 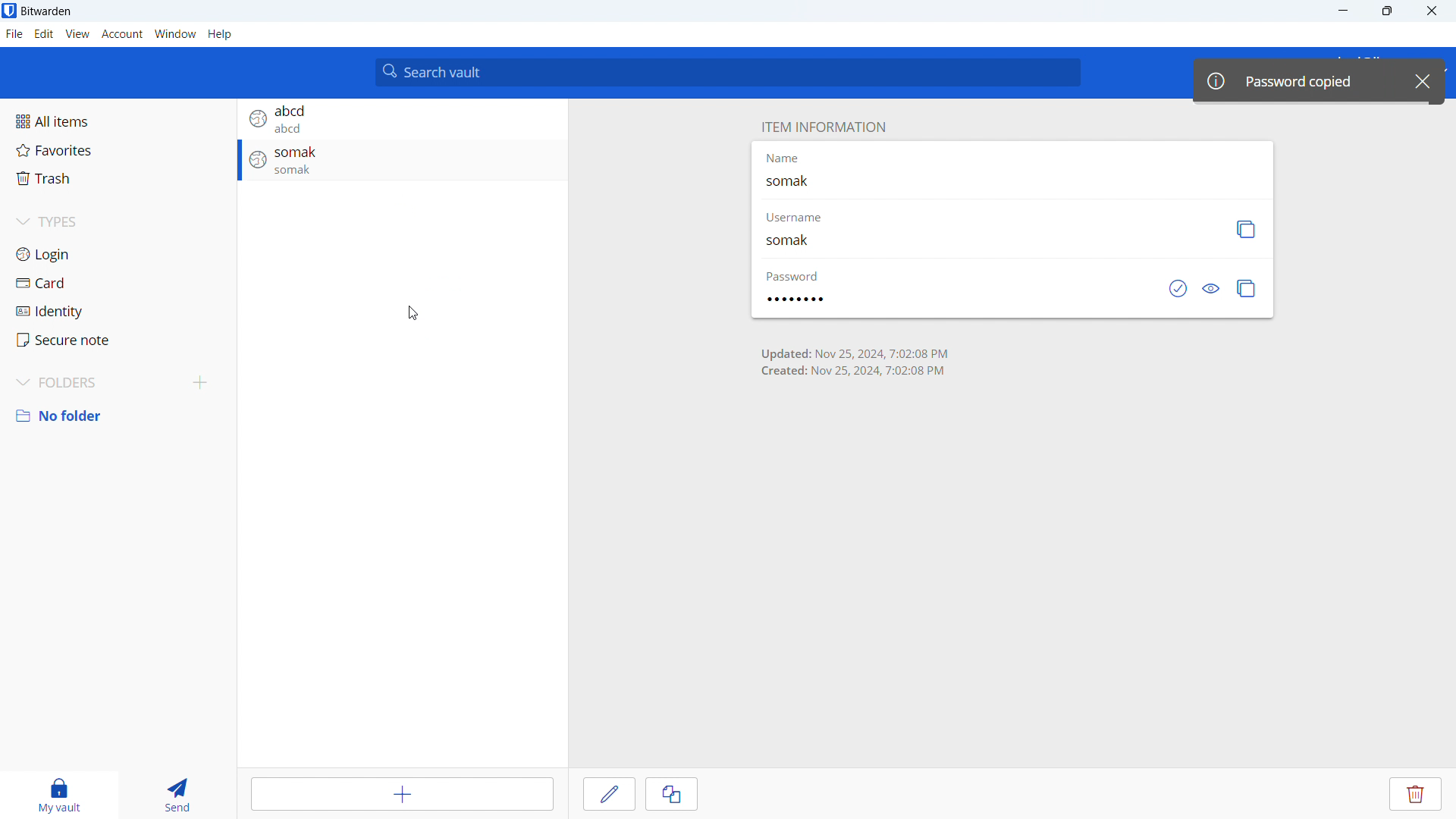 I want to click on copy password, so click(x=1247, y=289).